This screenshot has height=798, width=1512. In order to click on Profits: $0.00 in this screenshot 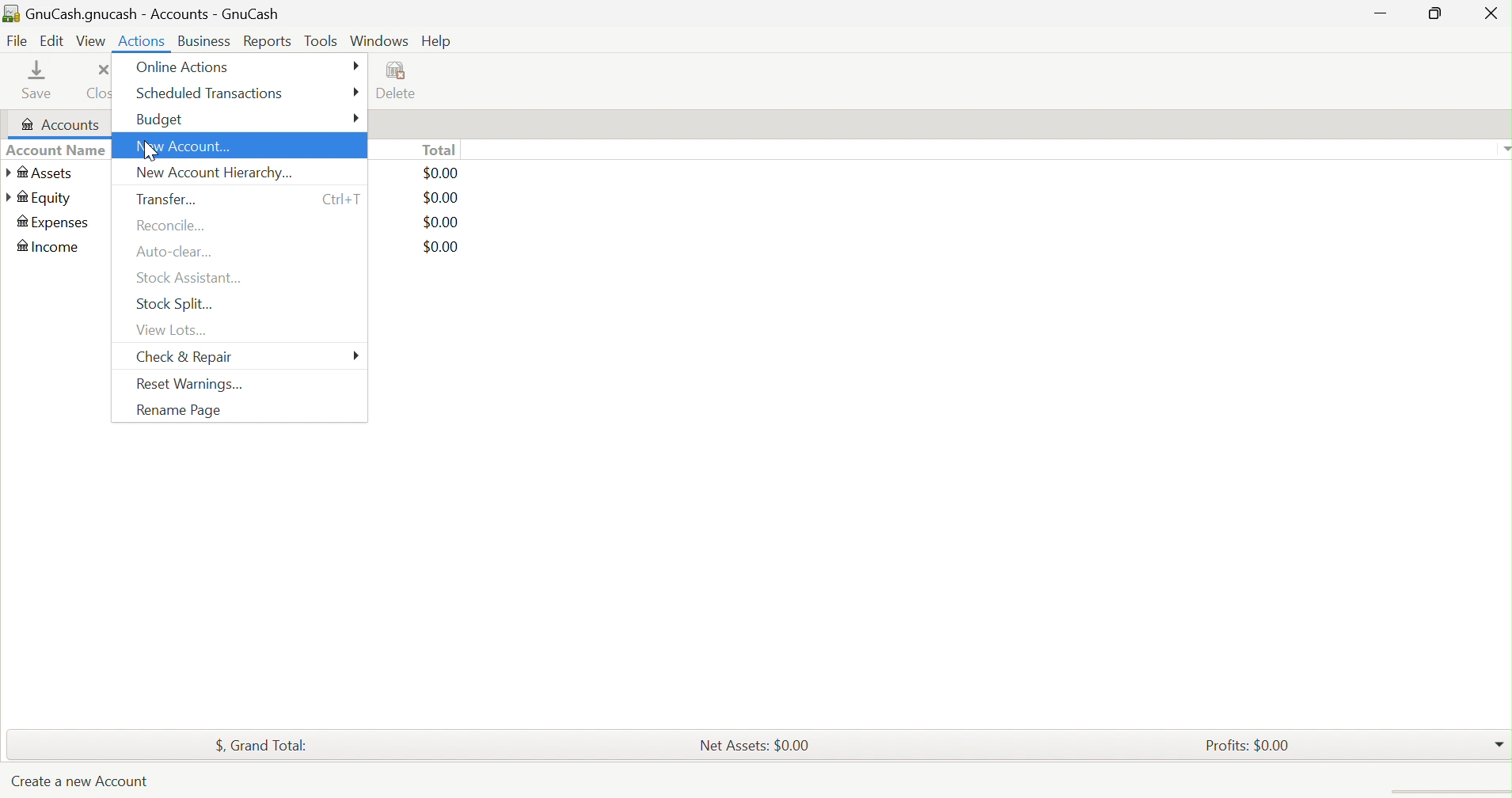, I will do `click(1251, 744)`.